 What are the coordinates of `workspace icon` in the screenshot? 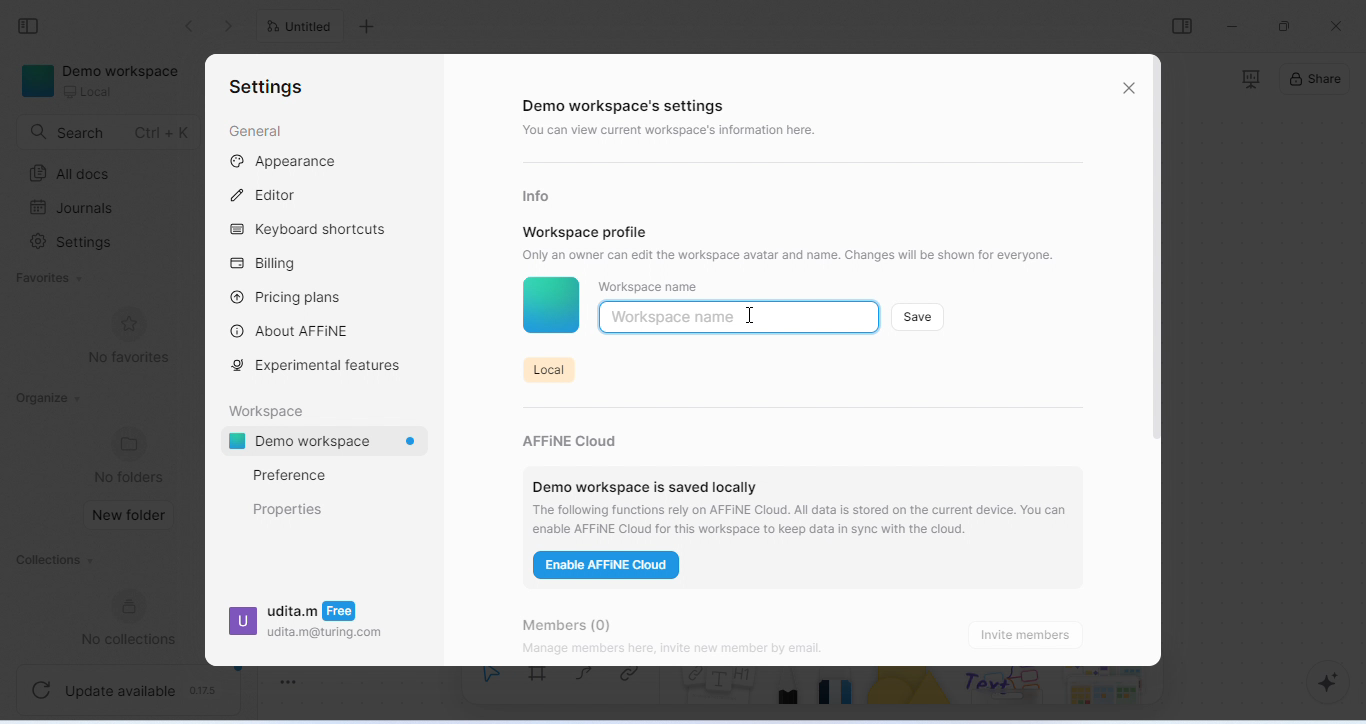 It's located at (550, 307).